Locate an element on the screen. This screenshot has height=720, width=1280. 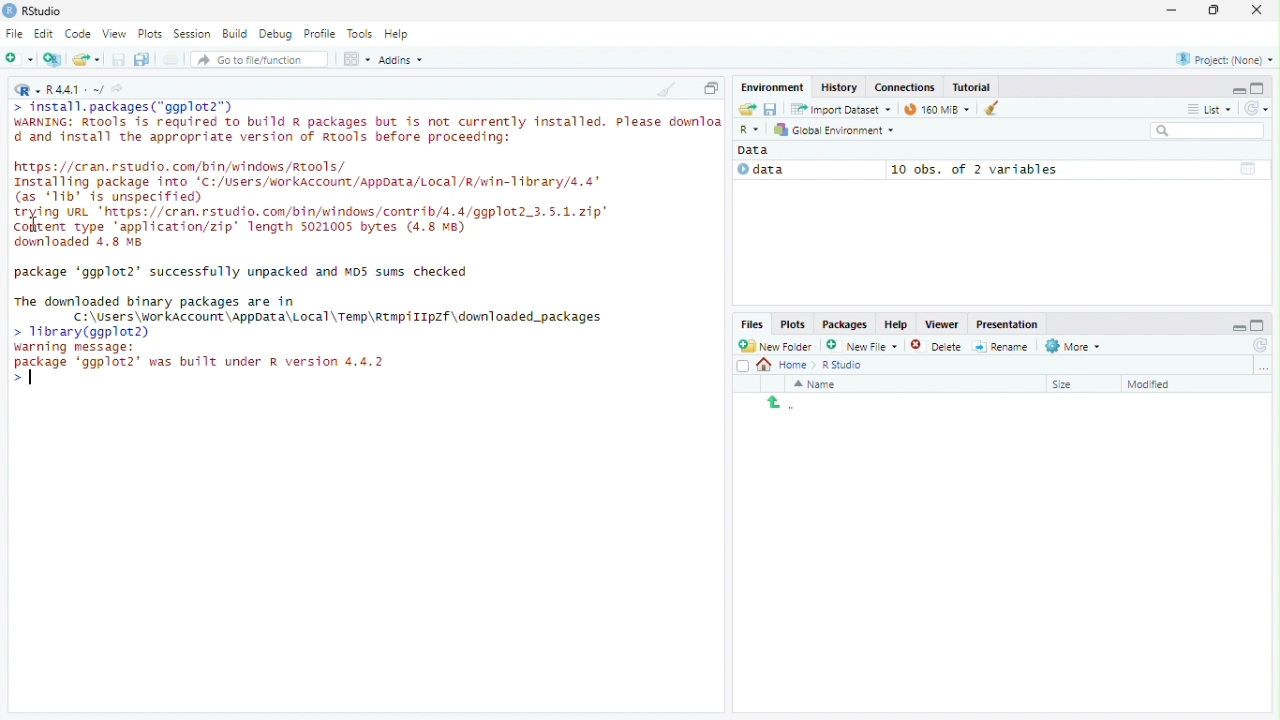
More file commands is located at coordinates (1073, 346).